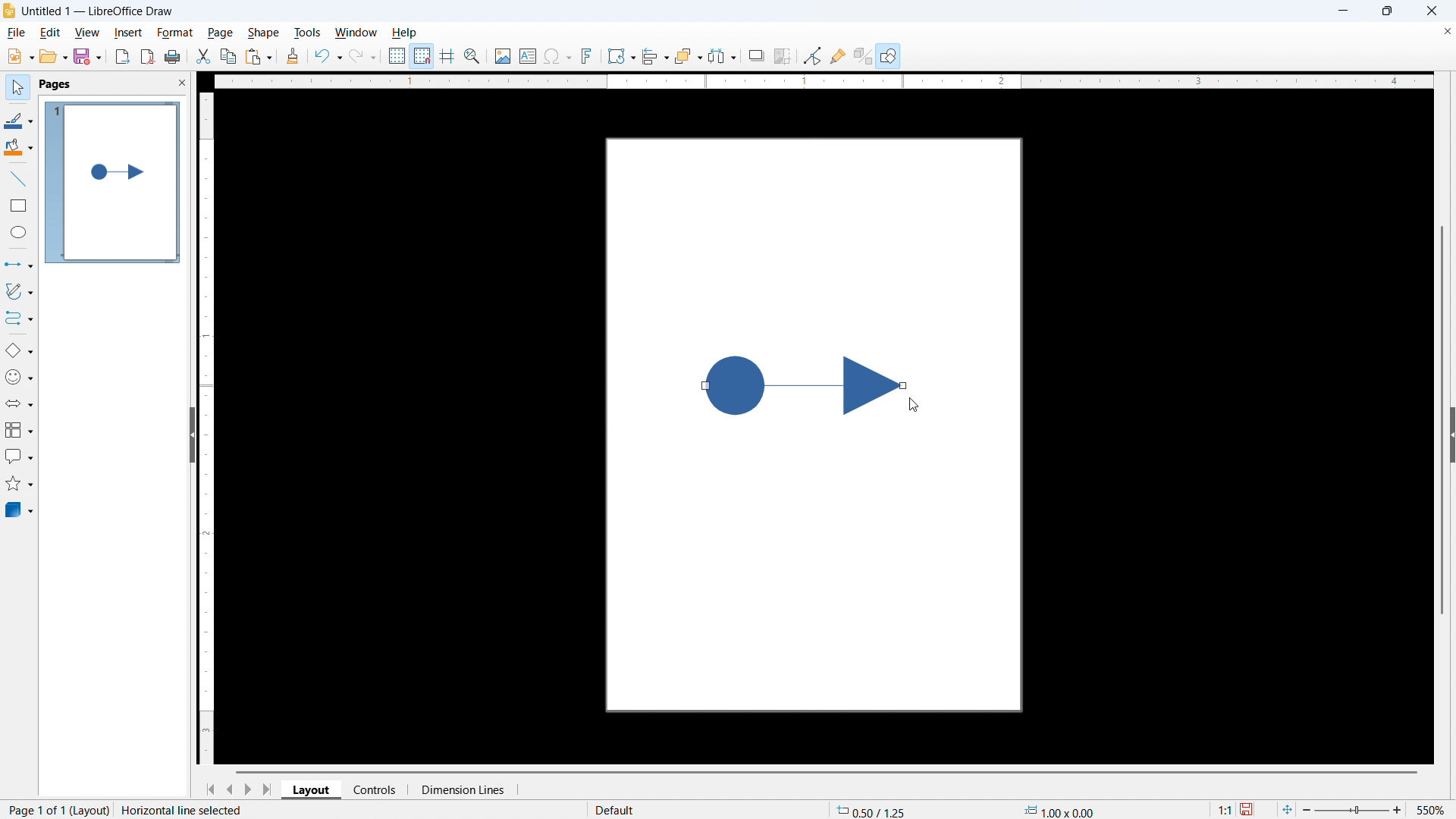 This screenshot has width=1456, height=819. I want to click on Select at least three objects to distribute, so click(723, 56).